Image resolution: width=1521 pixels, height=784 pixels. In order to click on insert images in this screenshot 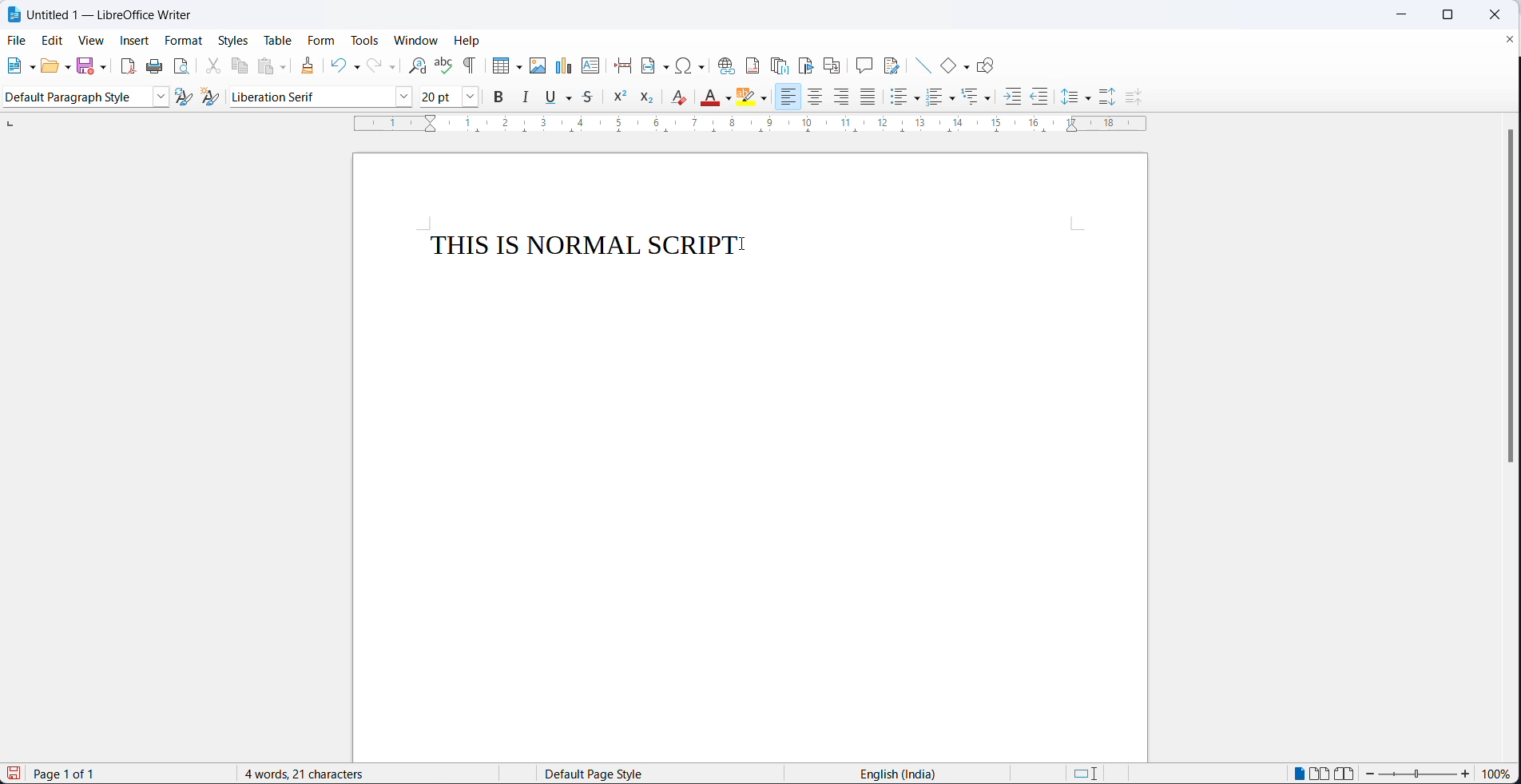, I will do `click(538, 65)`.